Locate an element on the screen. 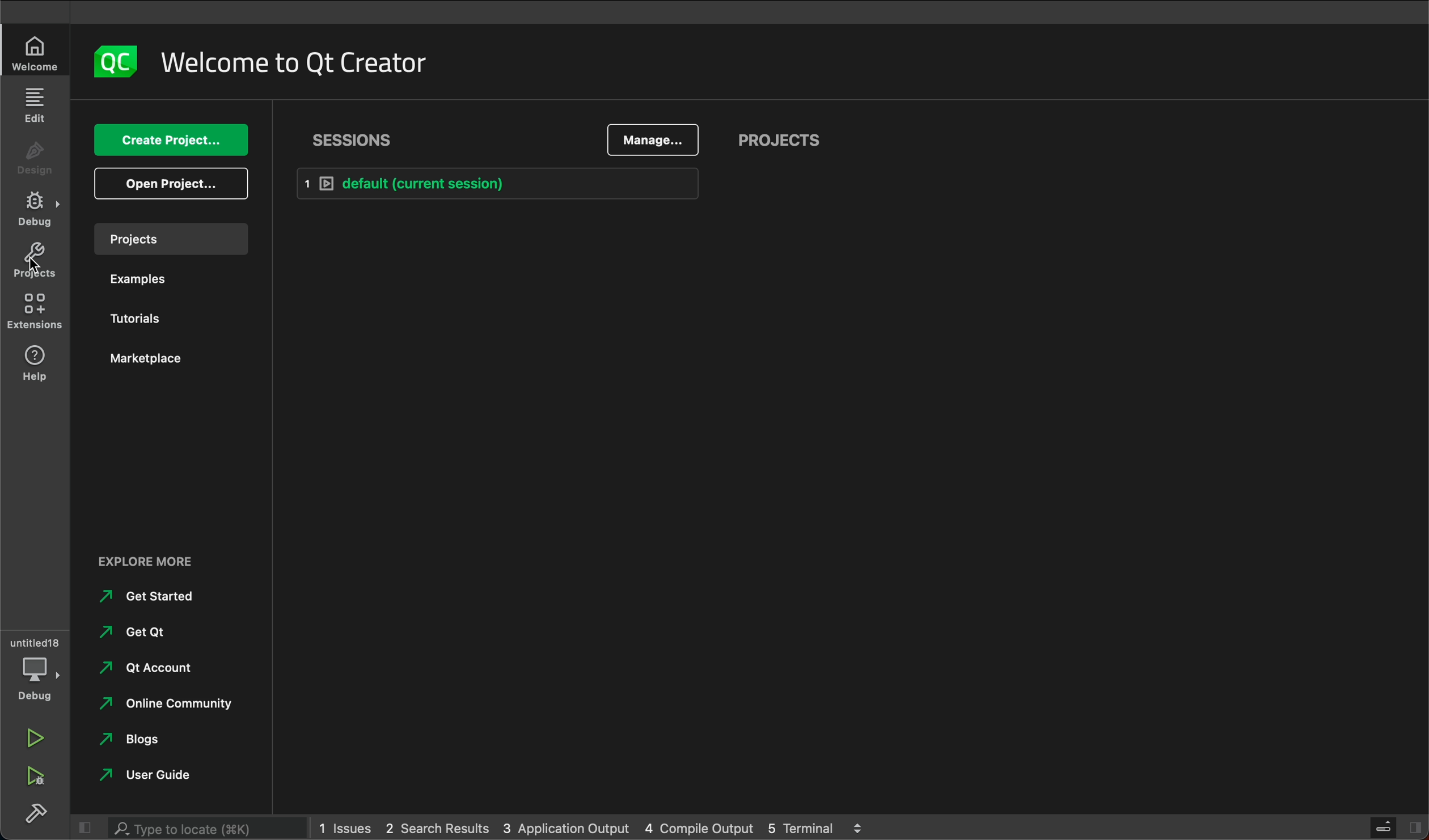  close sidebar is located at coordinates (1397, 827).